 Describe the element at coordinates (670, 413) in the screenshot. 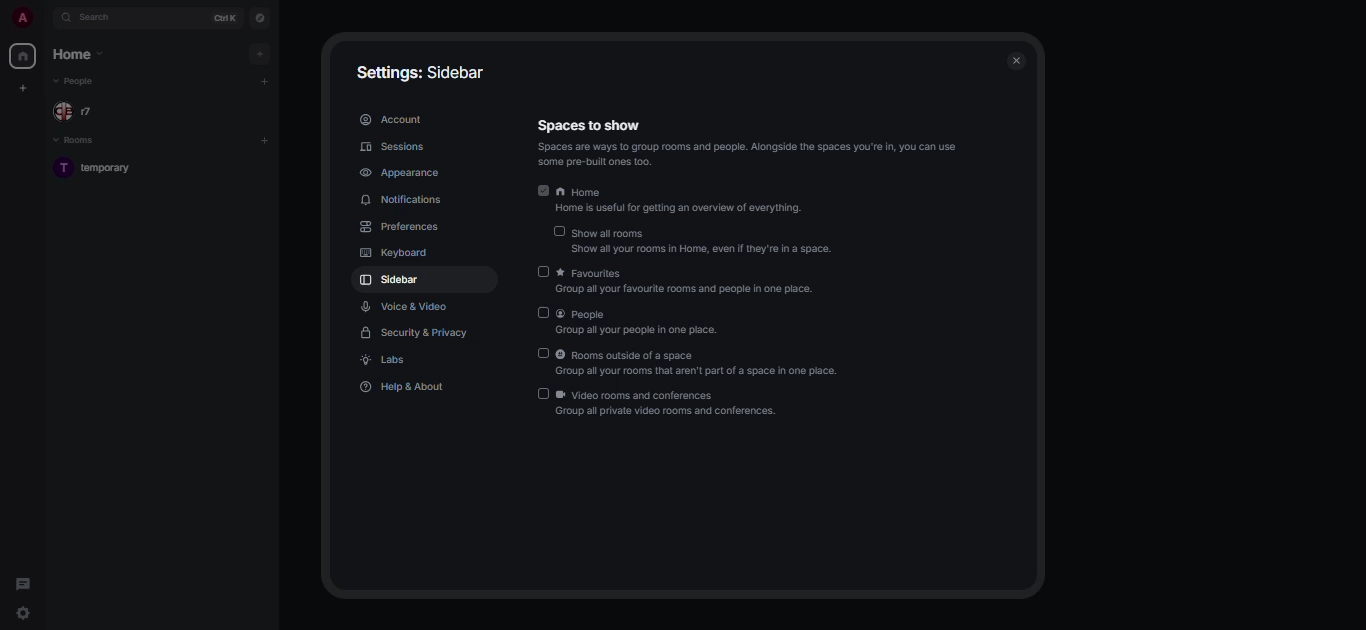

I see `Group all private video rooms and conferences.` at that location.